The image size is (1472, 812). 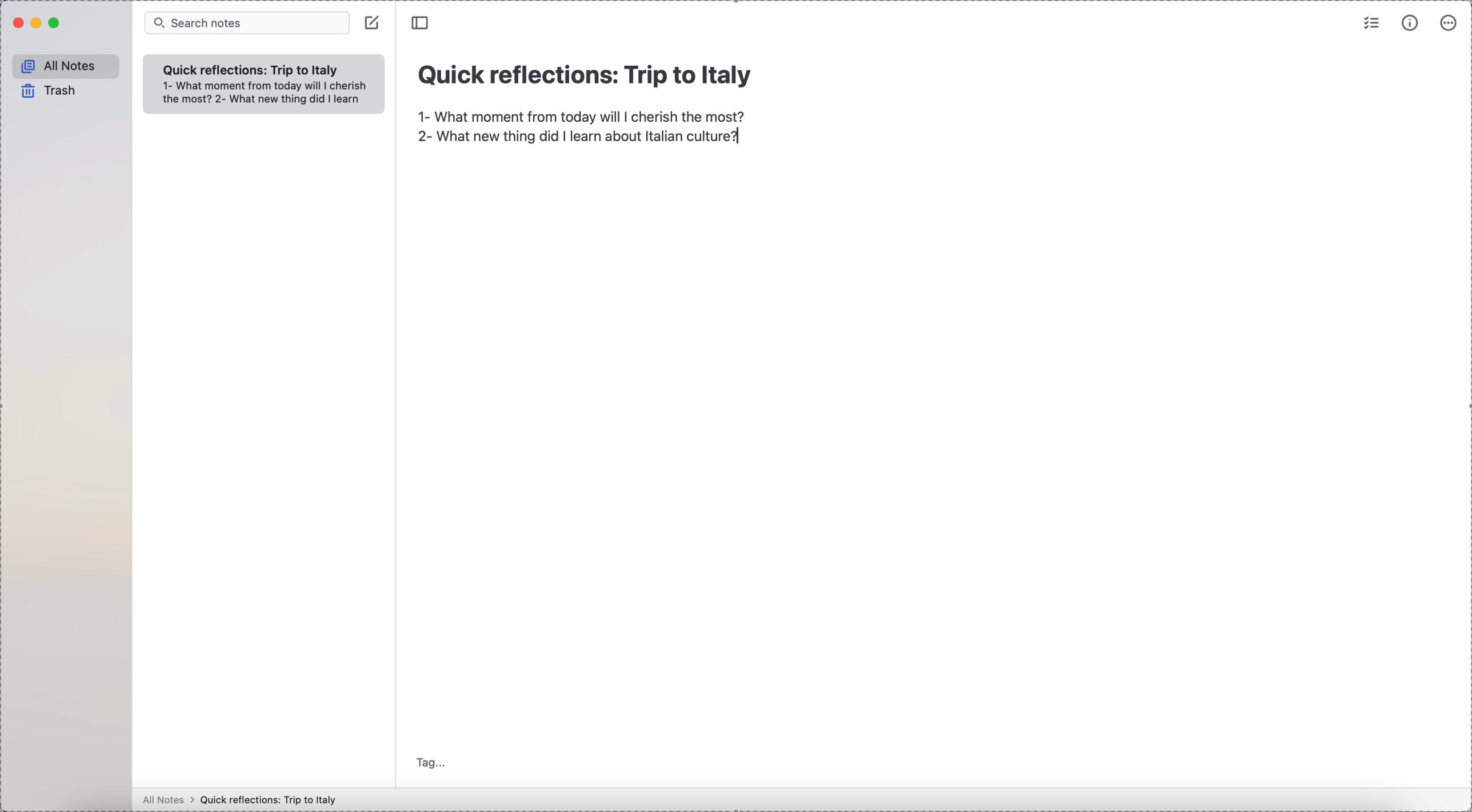 What do you see at coordinates (1372, 22) in the screenshot?
I see `check list` at bounding box center [1372, 22].